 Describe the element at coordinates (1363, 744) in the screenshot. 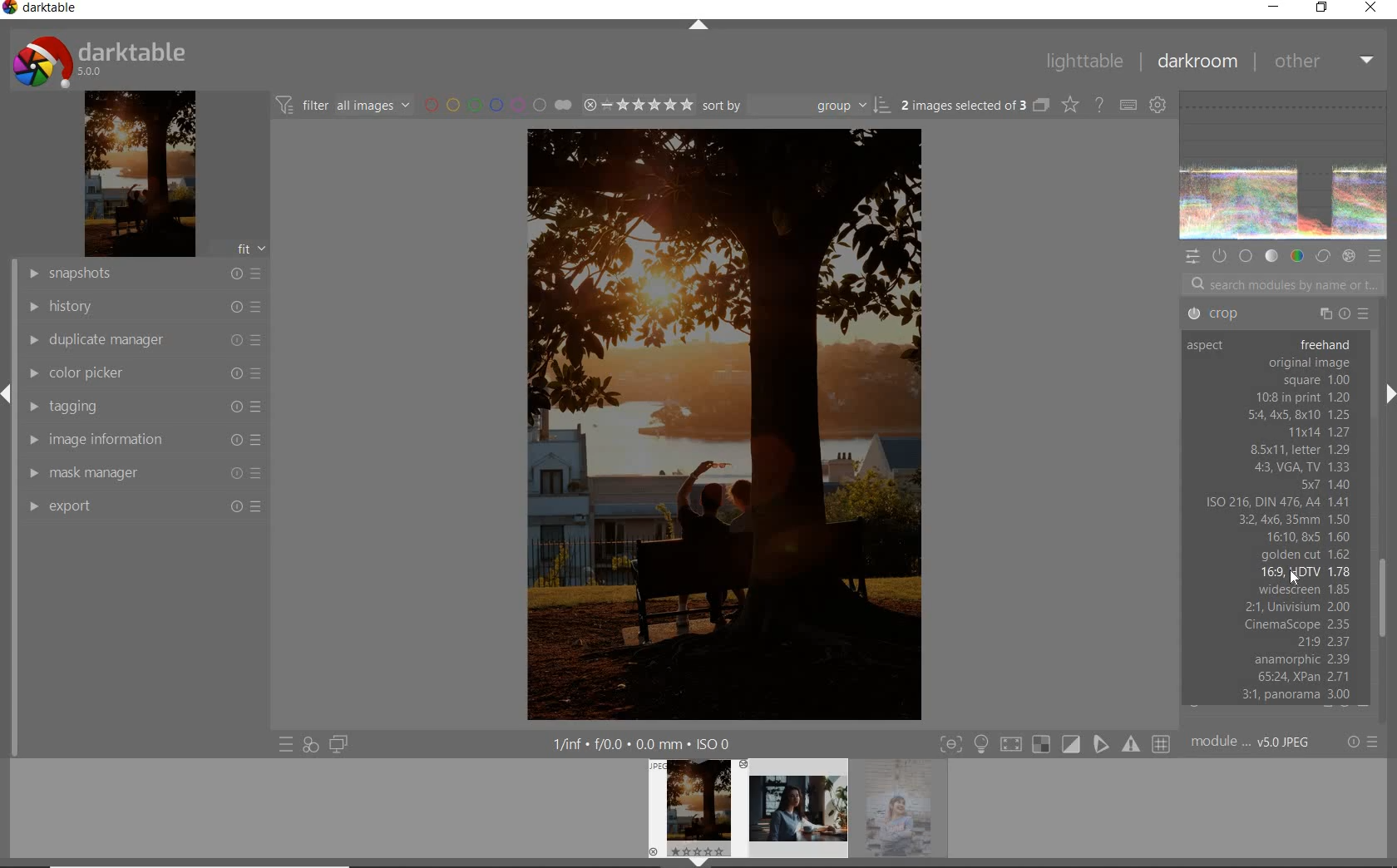

I see `reset or preset & preference` at that location.